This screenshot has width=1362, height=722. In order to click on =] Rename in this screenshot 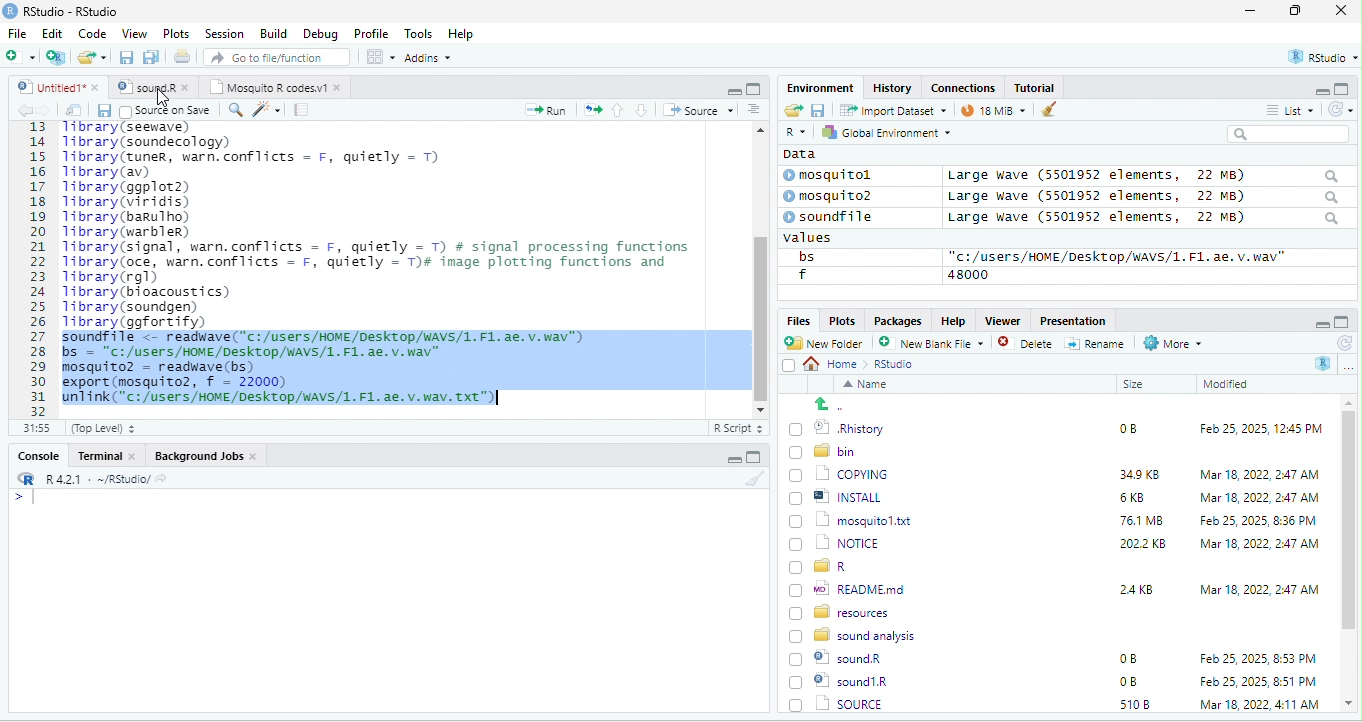, I will do `click(1096, 343)`.